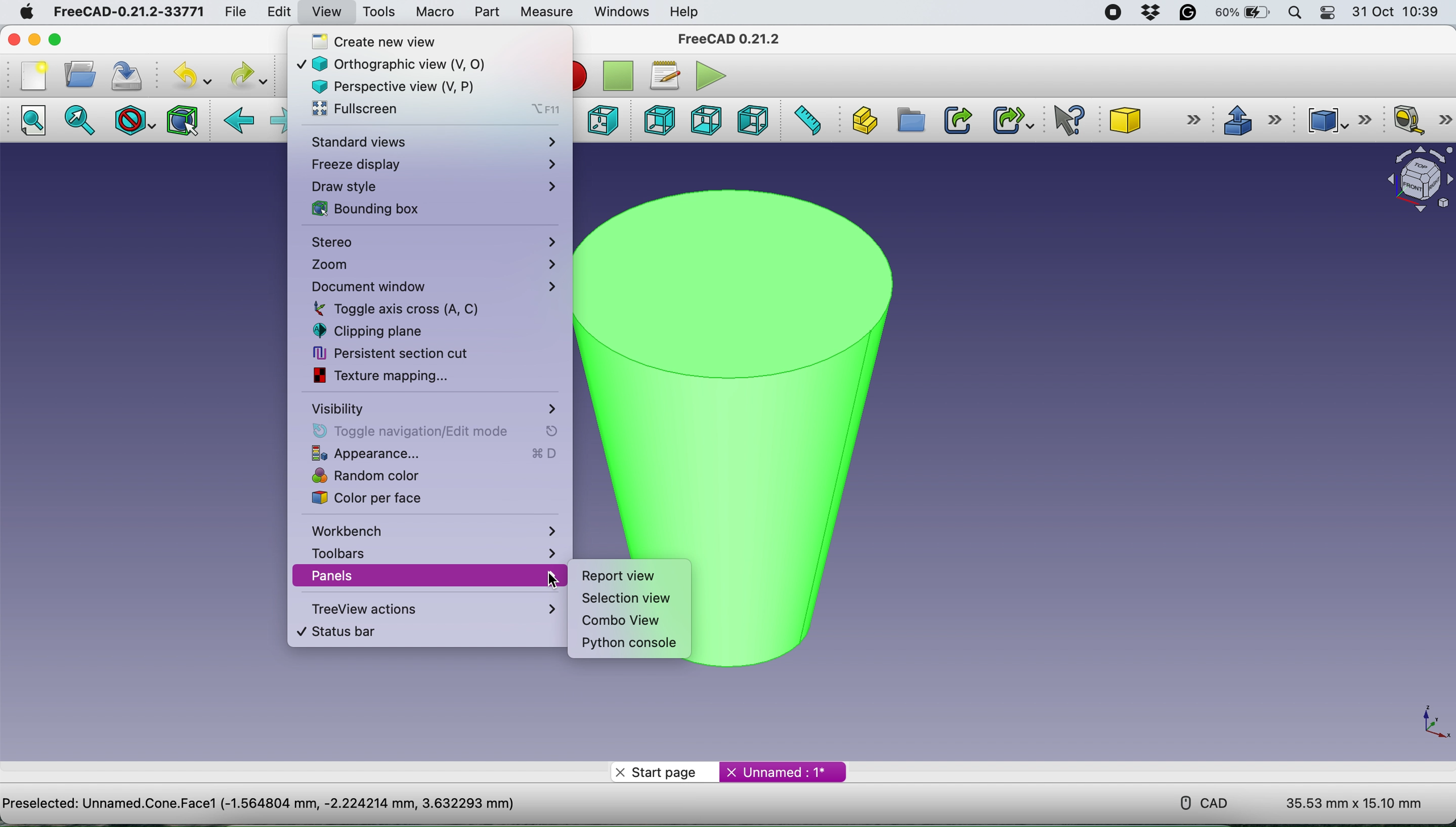 This screenshot has width=1456, height=827. I want to click on draw style , so click(432, 186).